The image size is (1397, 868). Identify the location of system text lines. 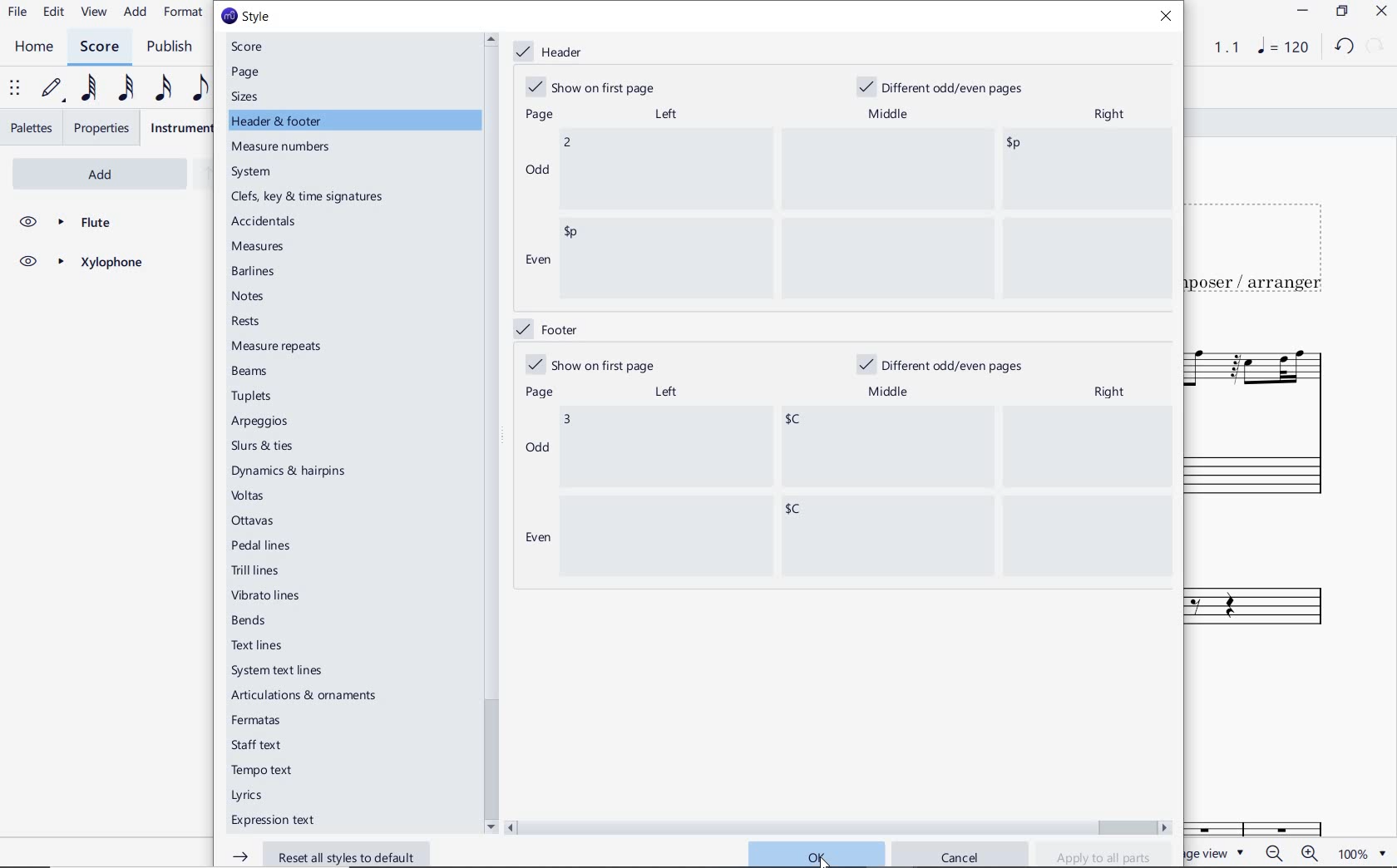
(279, 670).